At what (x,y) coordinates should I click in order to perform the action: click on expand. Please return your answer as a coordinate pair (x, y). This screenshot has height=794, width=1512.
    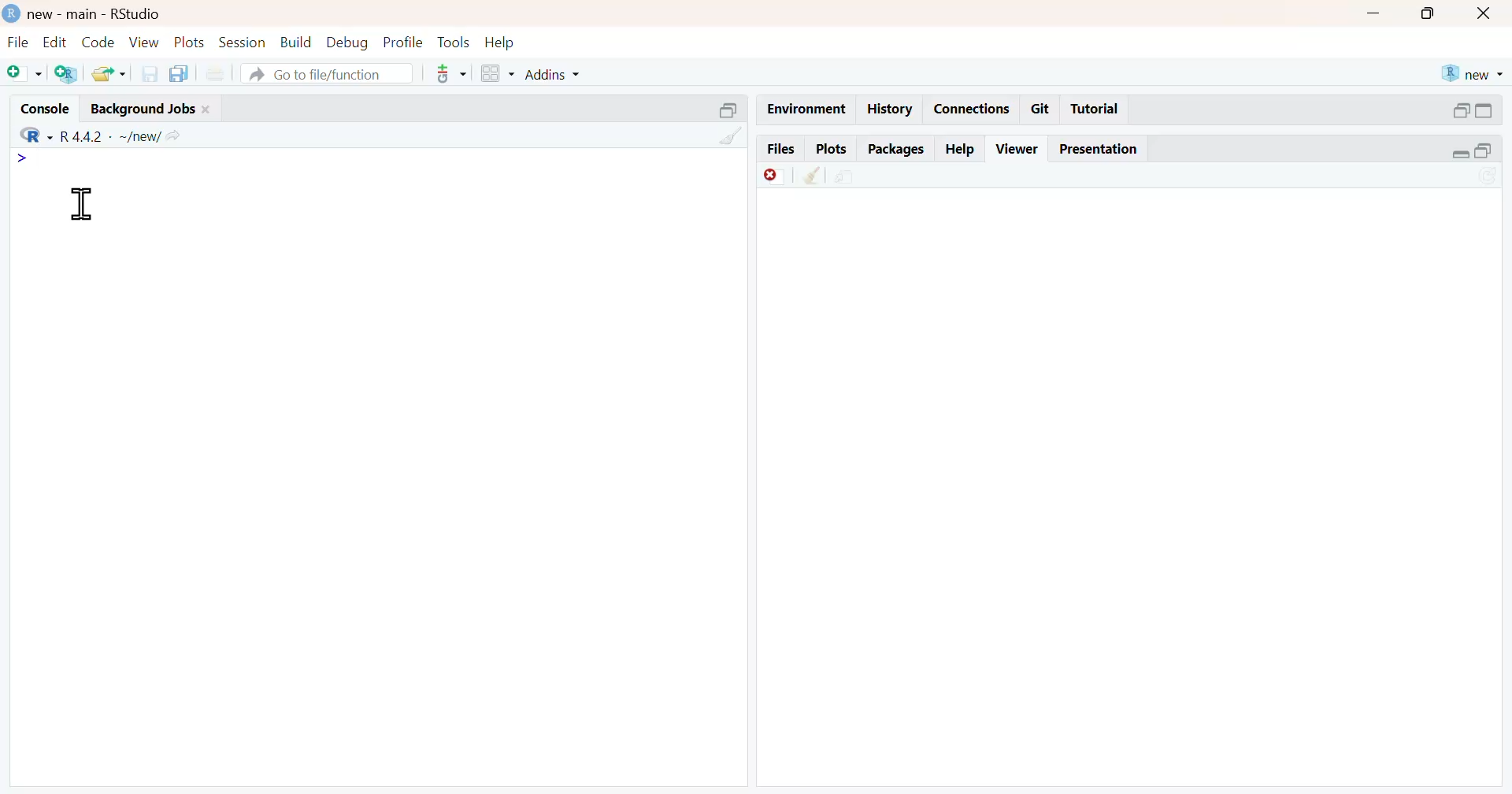
    Looking at the image, I should click on (1459, 112).